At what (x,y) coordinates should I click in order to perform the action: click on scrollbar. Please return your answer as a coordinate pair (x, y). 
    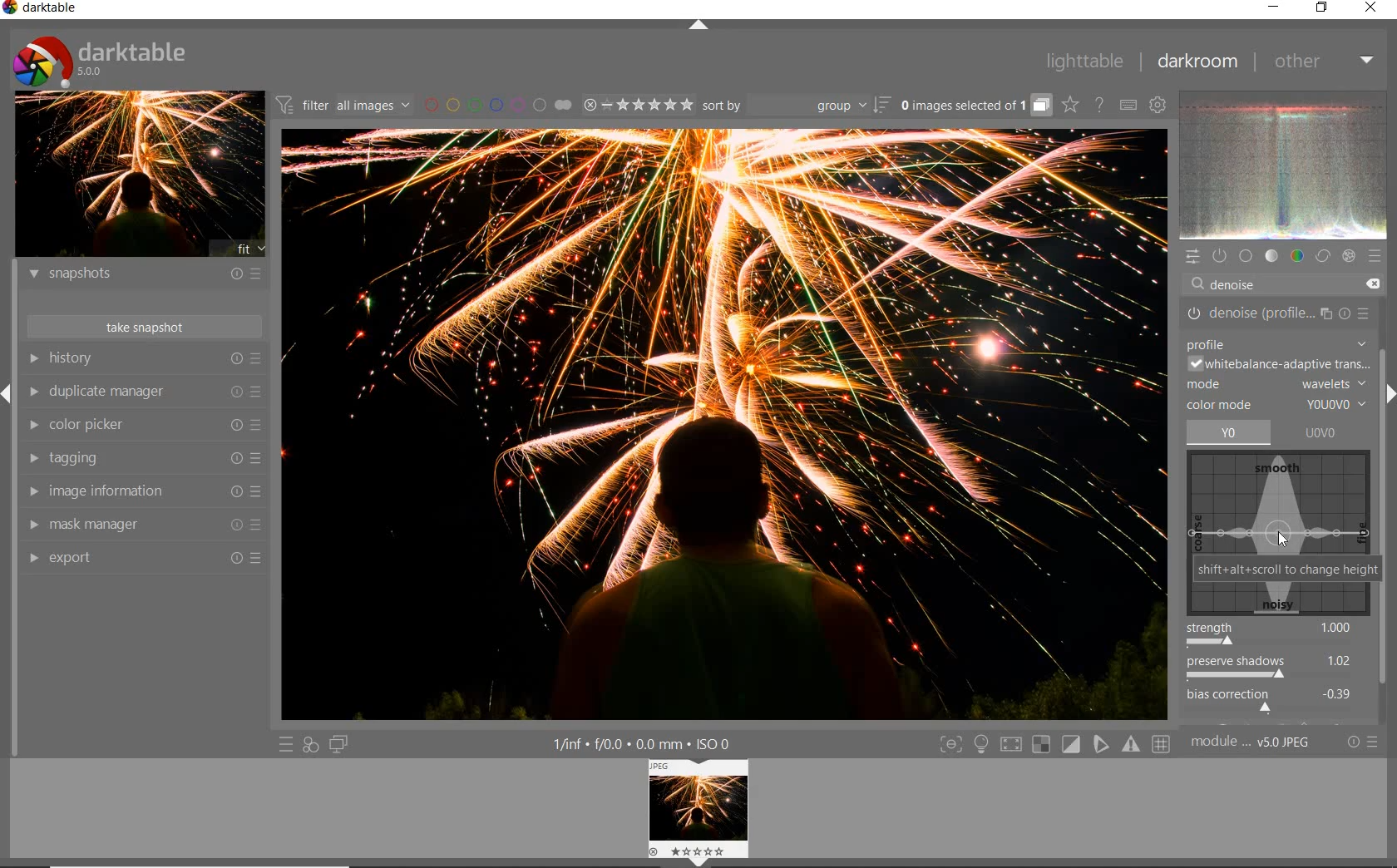
    Looking at the image, I should click on (1384, 501).